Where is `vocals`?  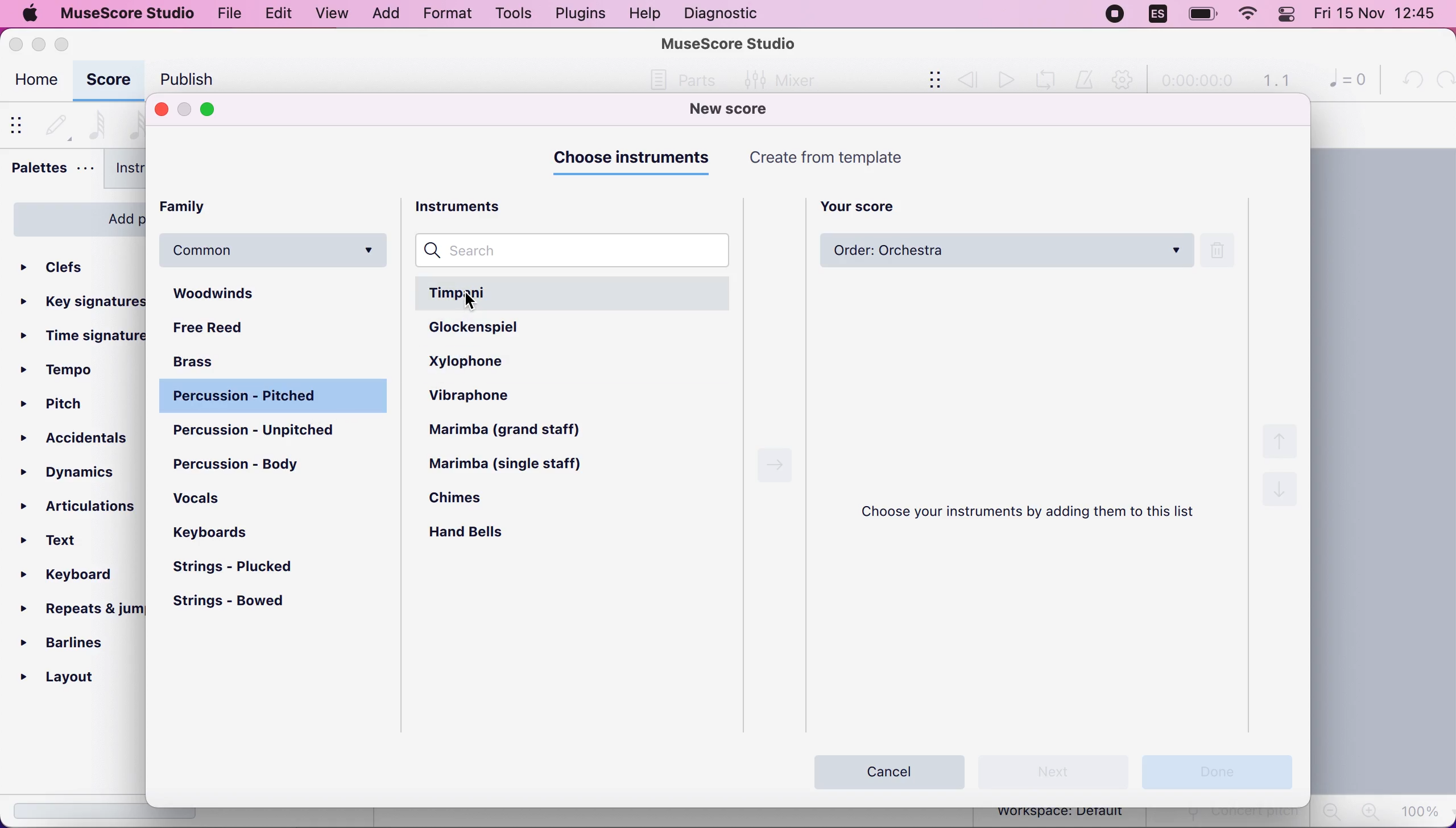 vocals is located at coordinates (214, 503).